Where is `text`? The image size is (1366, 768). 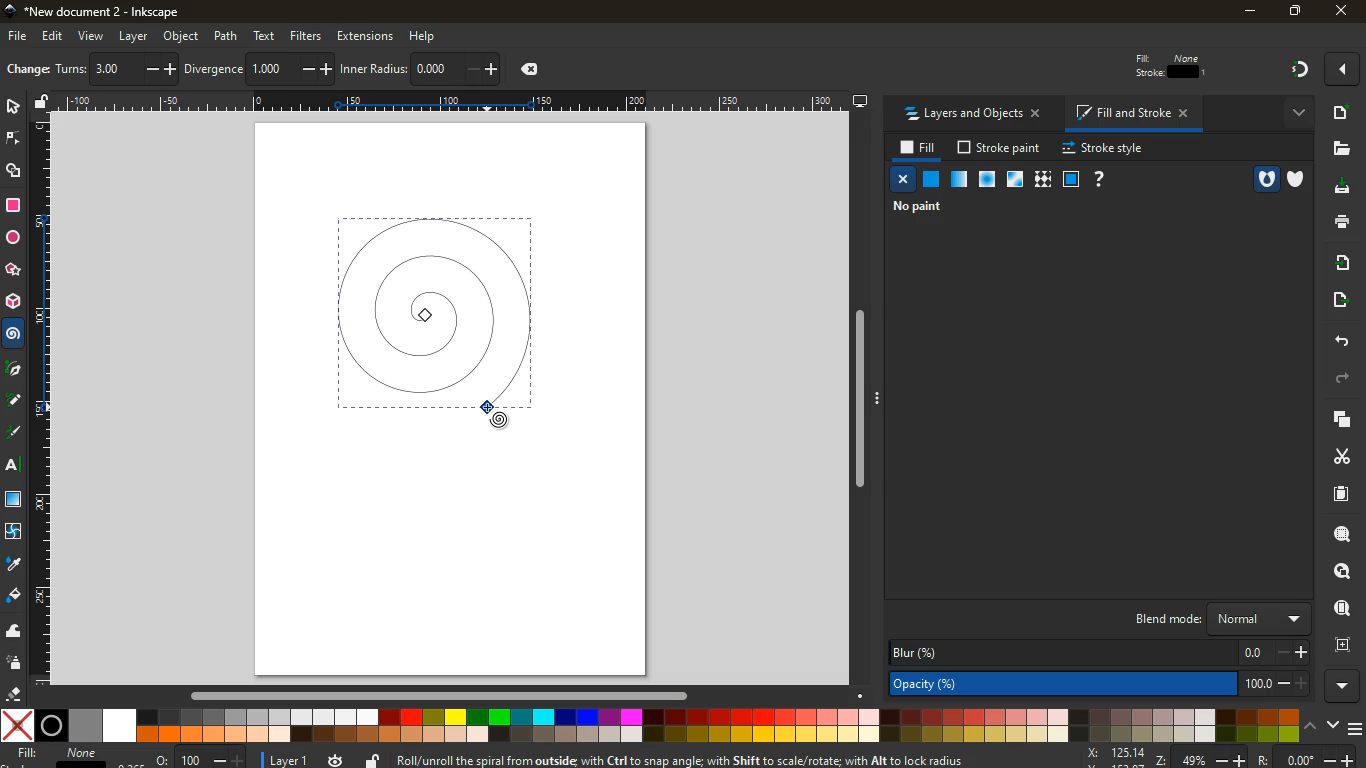 text is located at coordinates (265, 35).